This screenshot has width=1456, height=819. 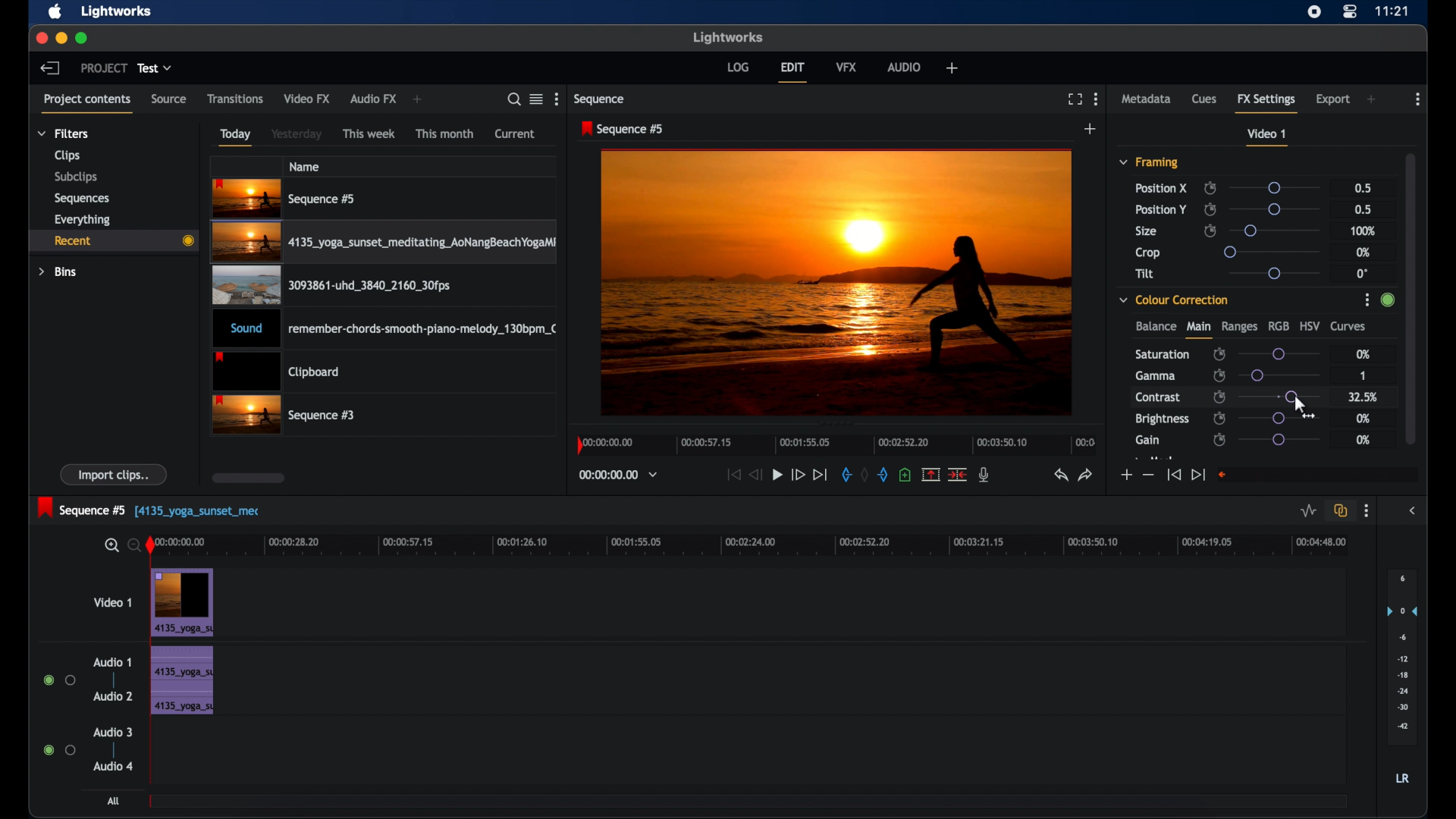 What do you see at coordinates (1219, 355) in the screenshot?
I see `enable/disable keyframes` at bounding box center [1219, 355].